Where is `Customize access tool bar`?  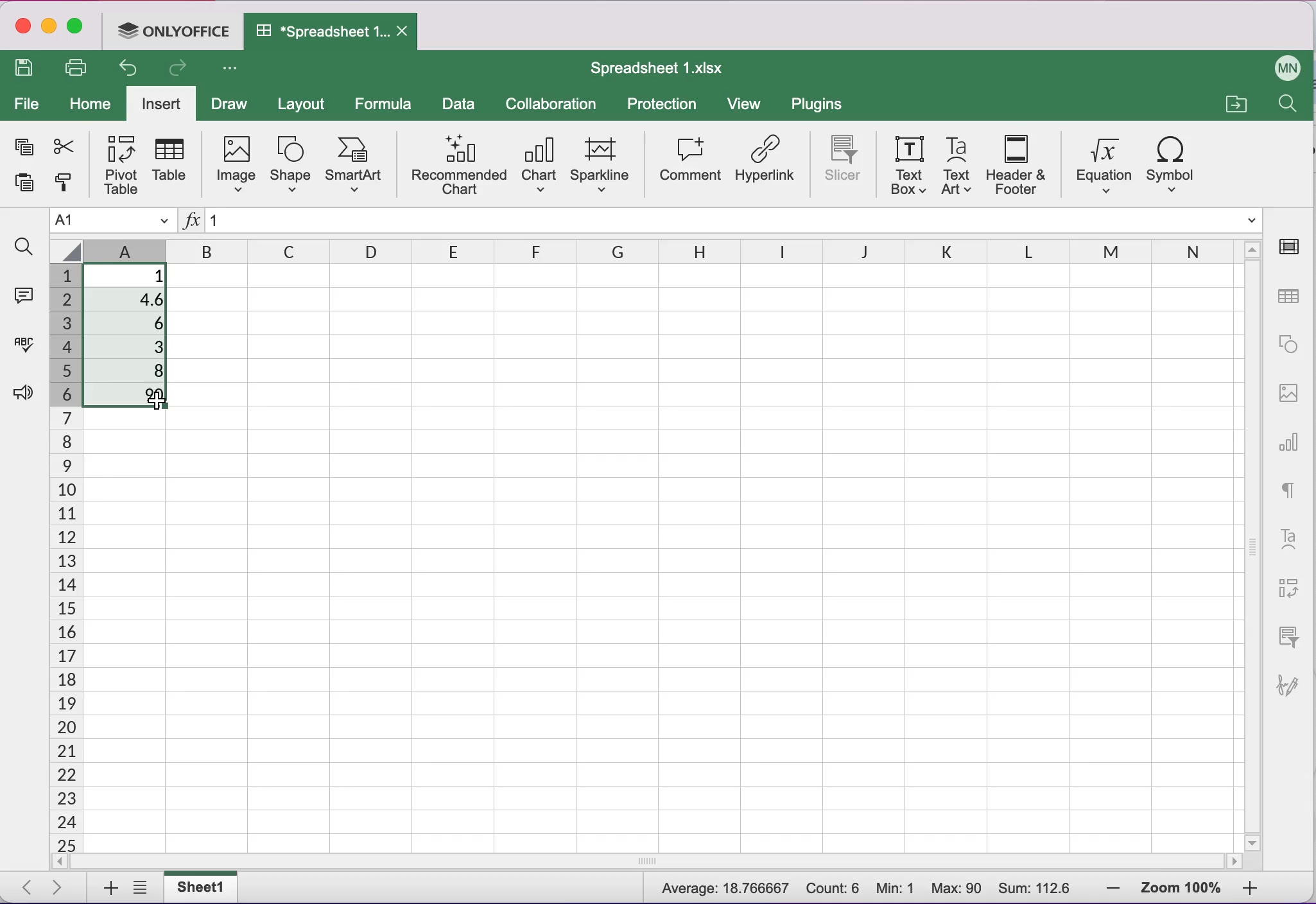 Customize access tool bar is located at coordinates (230, 67).